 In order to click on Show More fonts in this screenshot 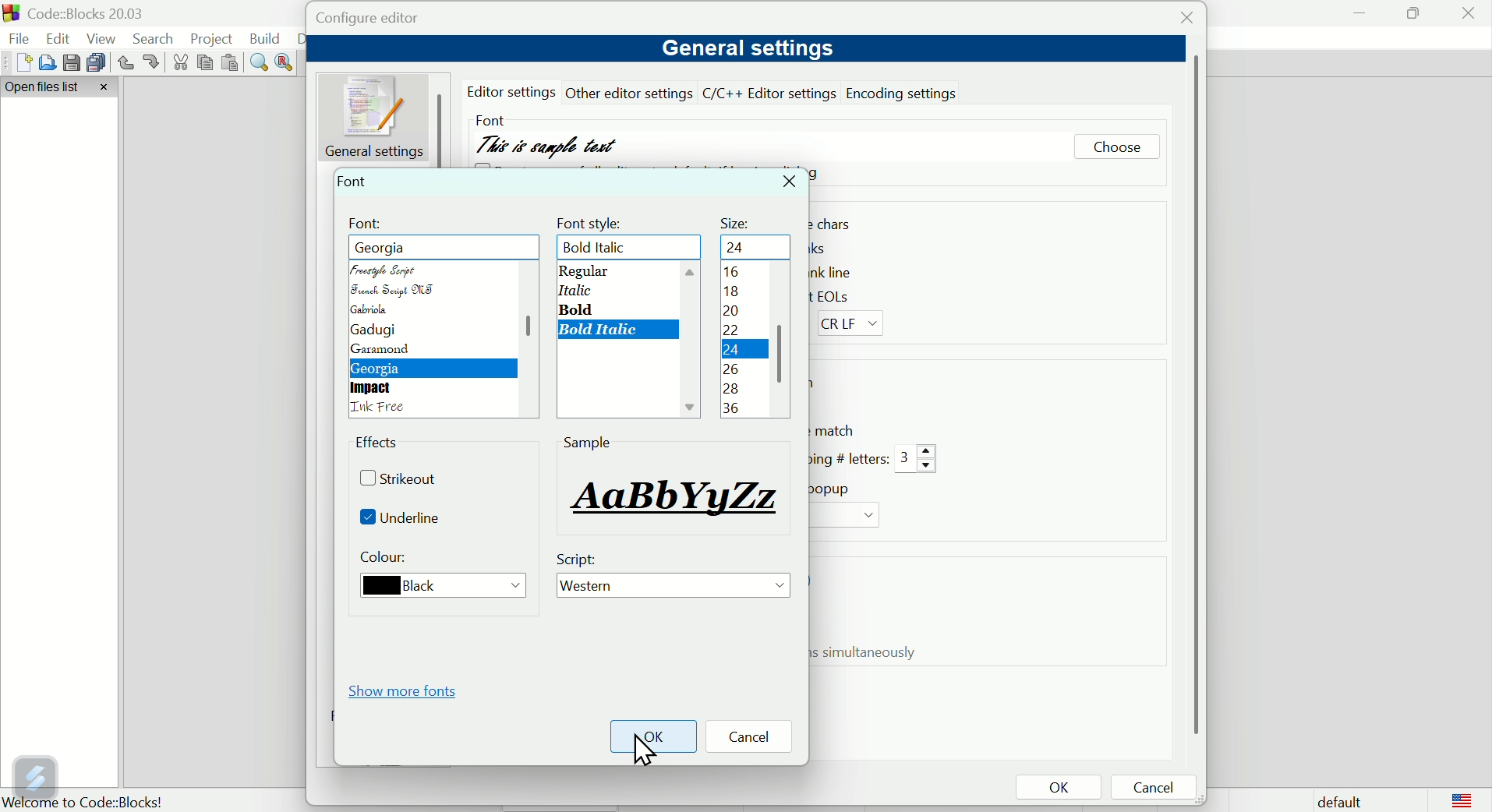, I will do `click(408, 690)`.